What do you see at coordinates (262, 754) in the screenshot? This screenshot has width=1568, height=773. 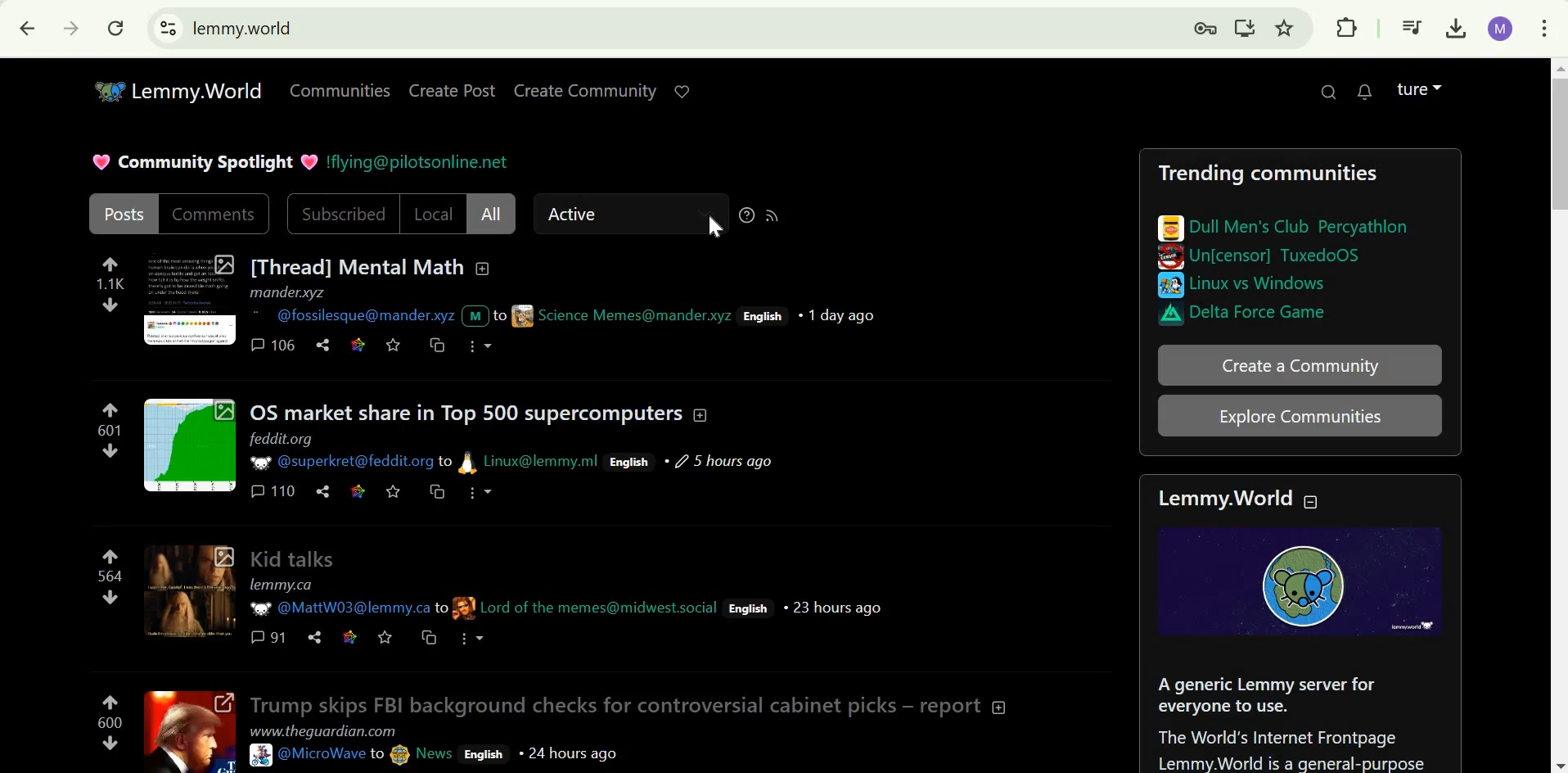 I see `picture` at bounding box center [262, 754].